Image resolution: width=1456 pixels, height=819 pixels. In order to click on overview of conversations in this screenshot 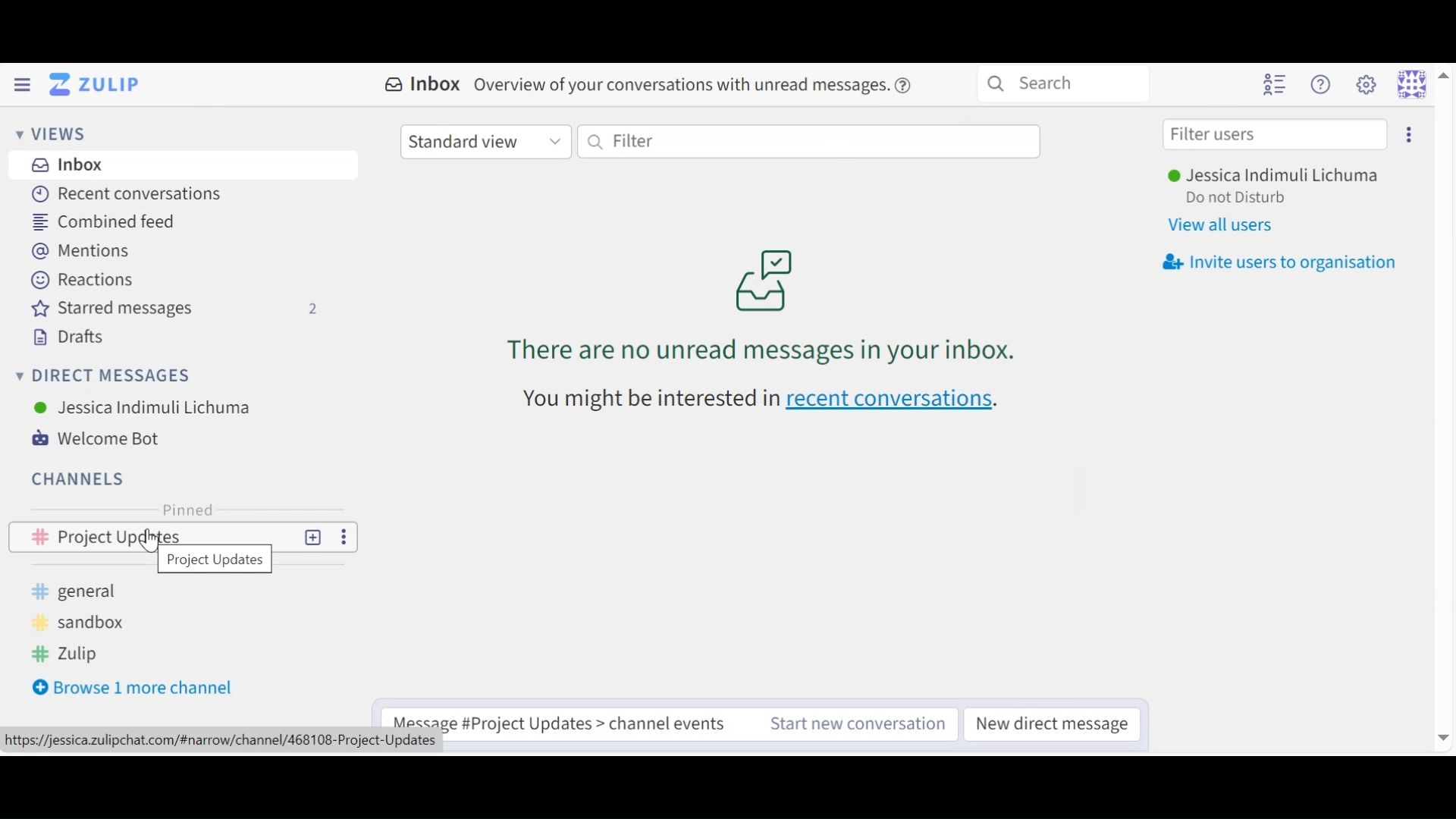, I will do `click(697, 85)`.